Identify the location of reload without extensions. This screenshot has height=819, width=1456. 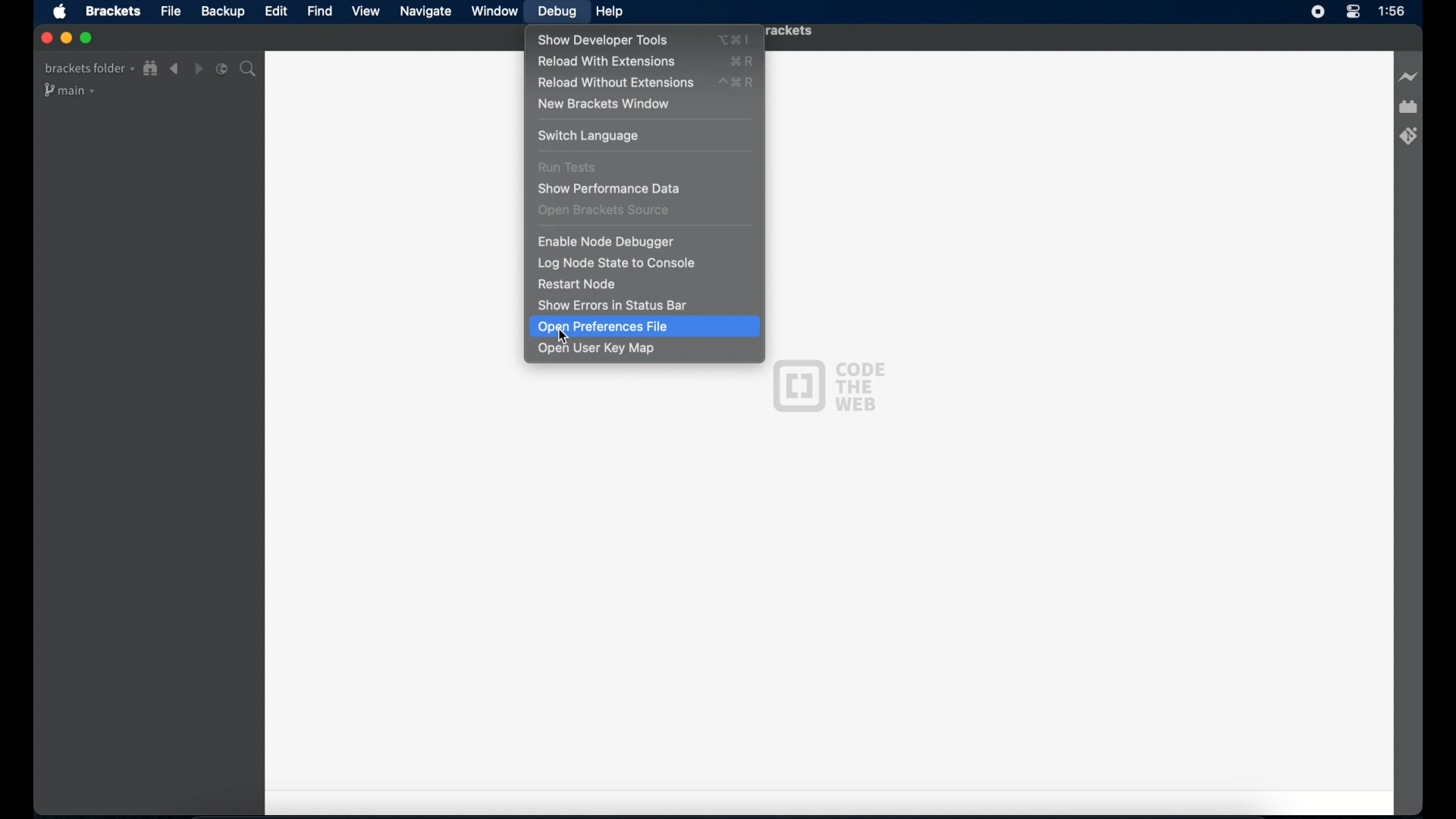
(617, 83).